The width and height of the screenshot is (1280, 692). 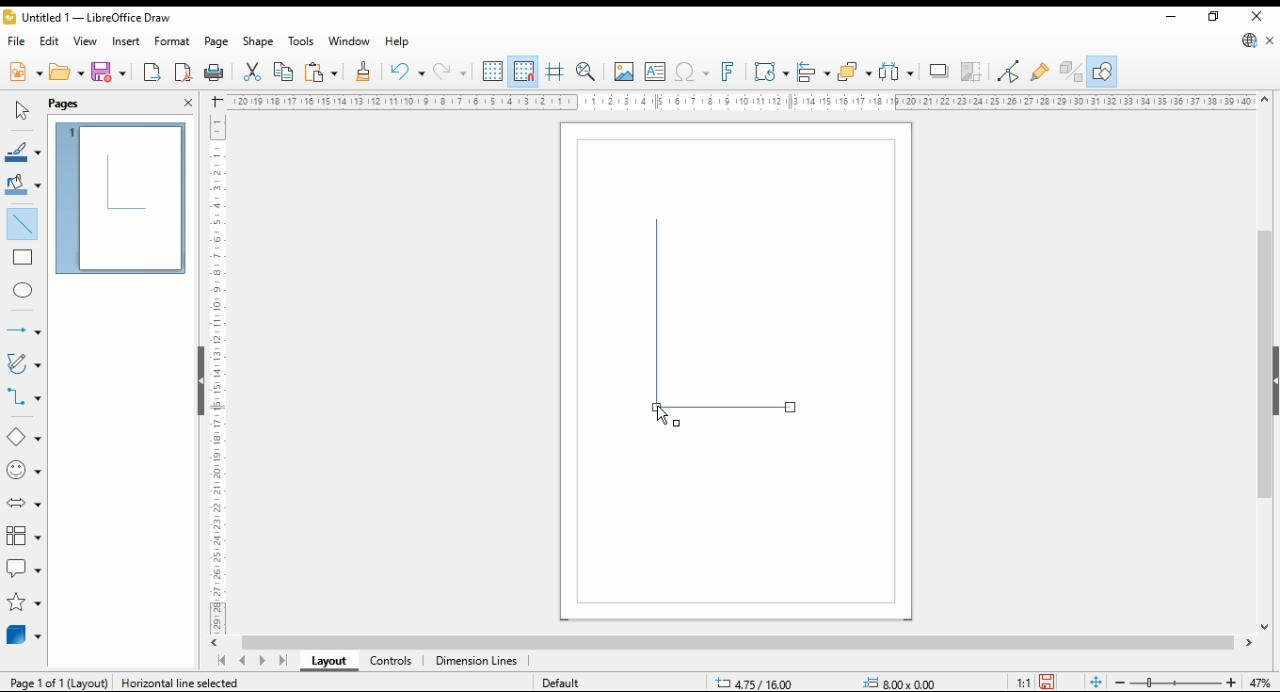 What do you see at coordinates (1036, 680) in the screenshot?
I see `1:1 ratio` at bounding box center [1036, 680].